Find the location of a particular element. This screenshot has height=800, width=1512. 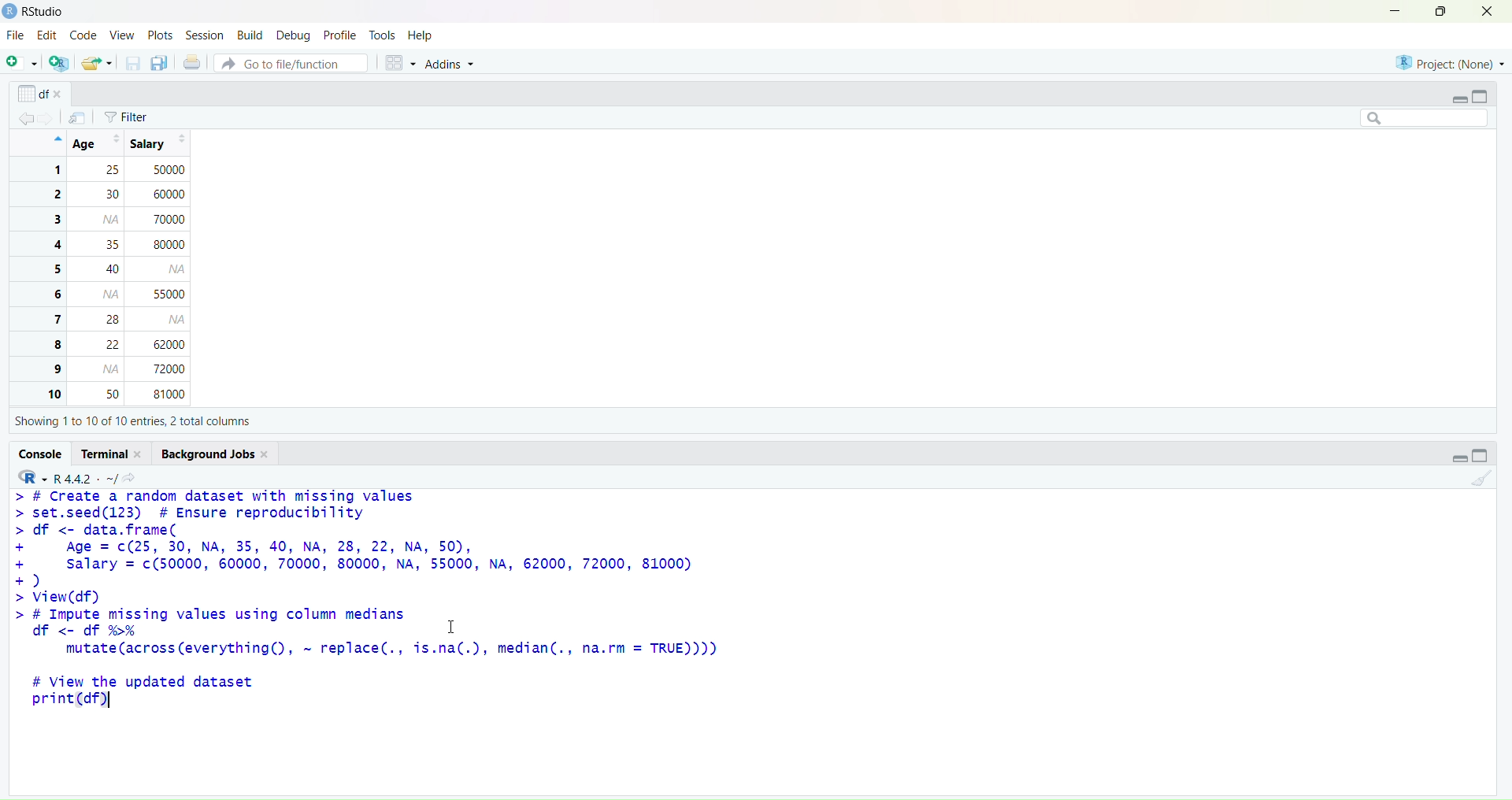

go to file/function is located at coordinates (290, 64).